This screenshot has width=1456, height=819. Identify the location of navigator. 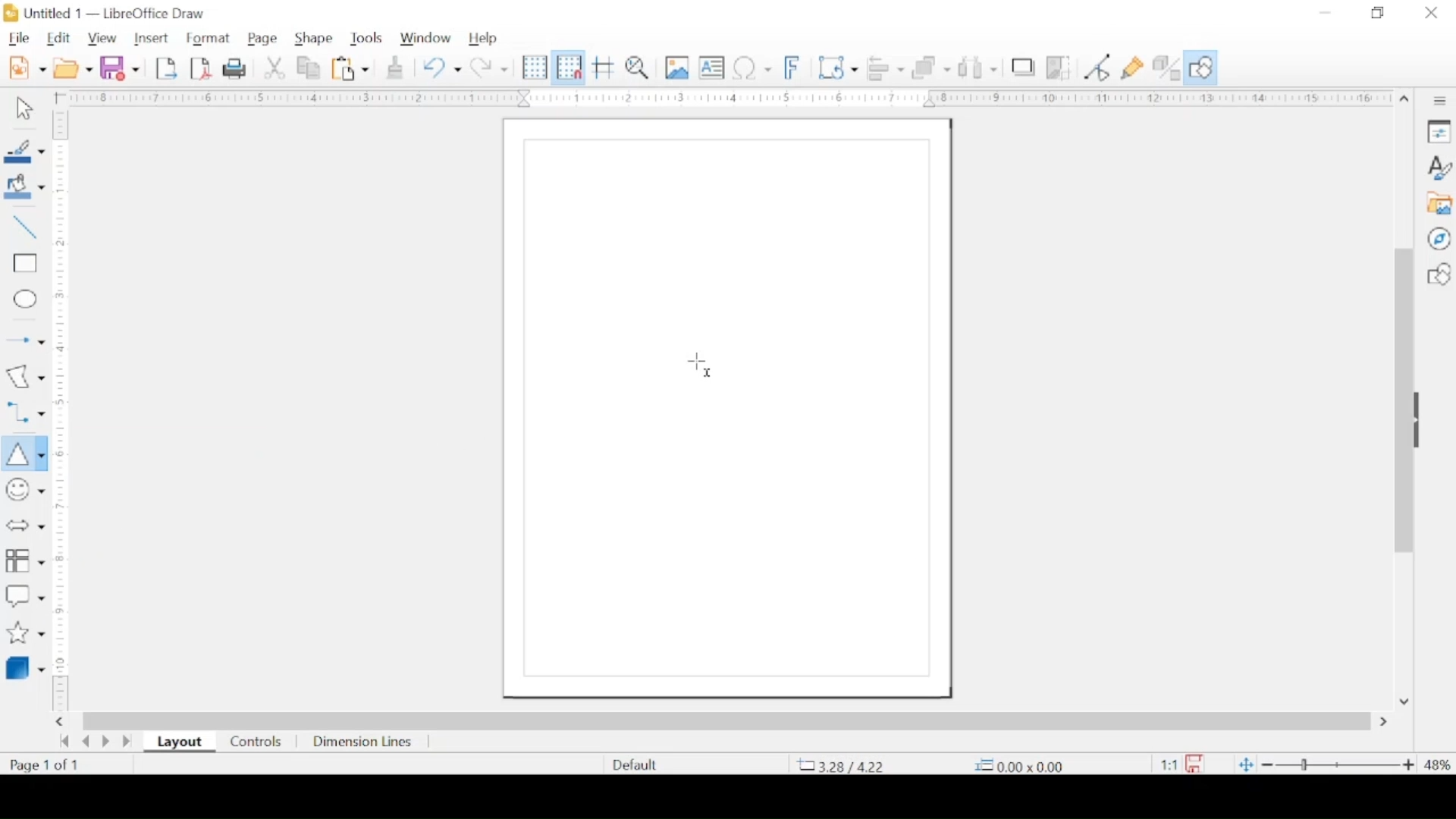
(1439, 239).